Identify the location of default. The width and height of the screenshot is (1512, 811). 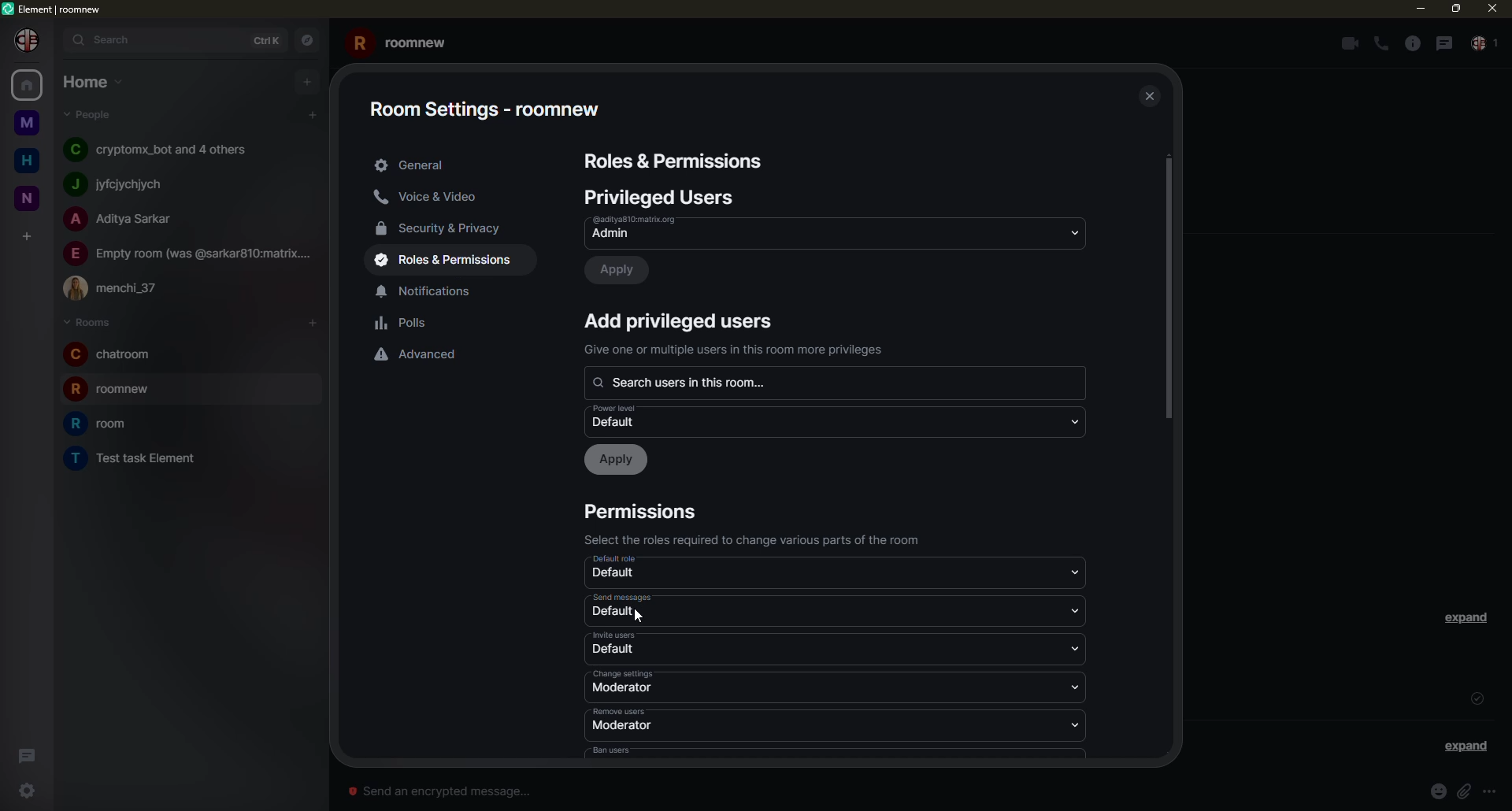
(617, 613).